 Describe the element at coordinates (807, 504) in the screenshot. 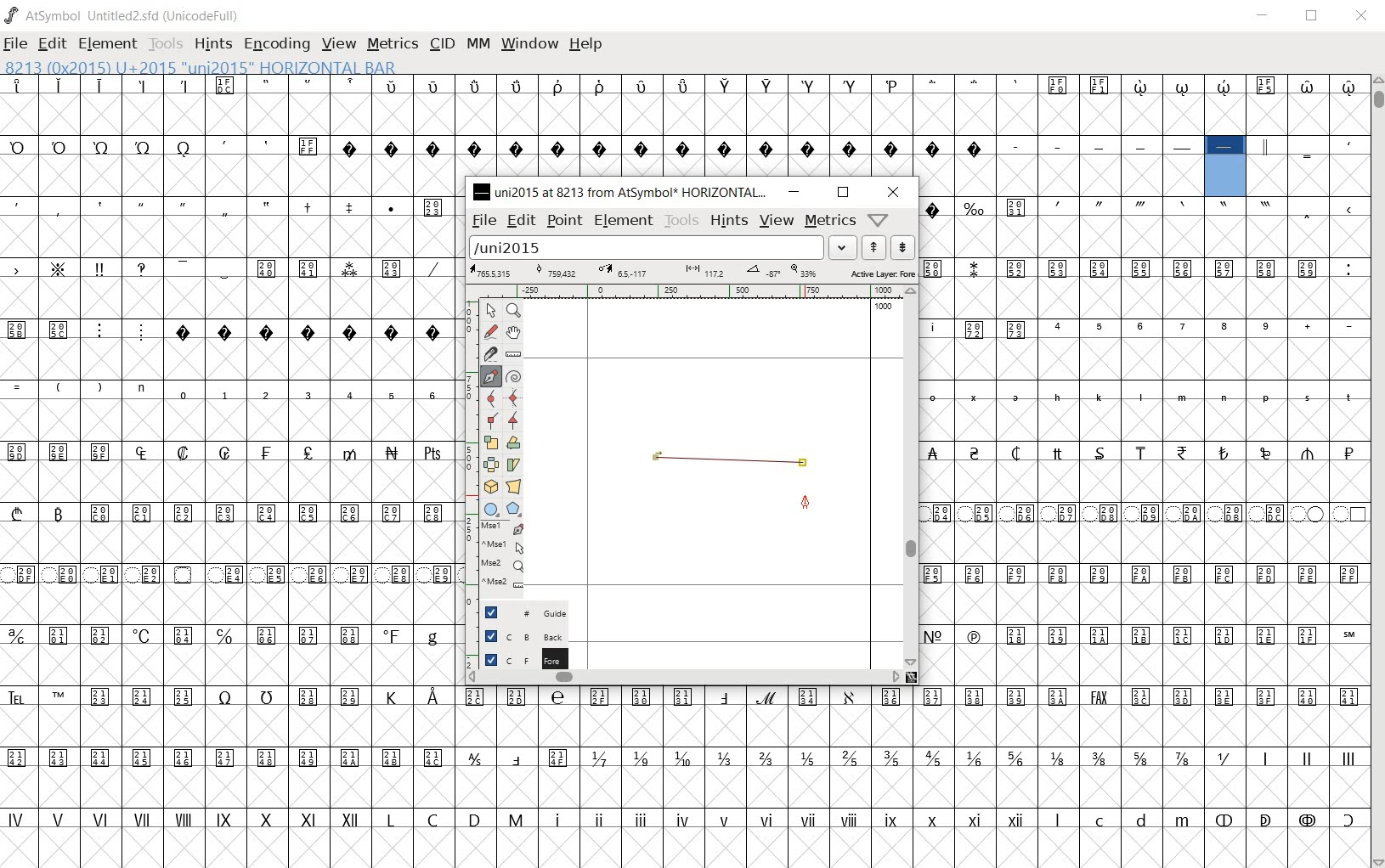

I see `Feltpen tool/cursor location` at that location.